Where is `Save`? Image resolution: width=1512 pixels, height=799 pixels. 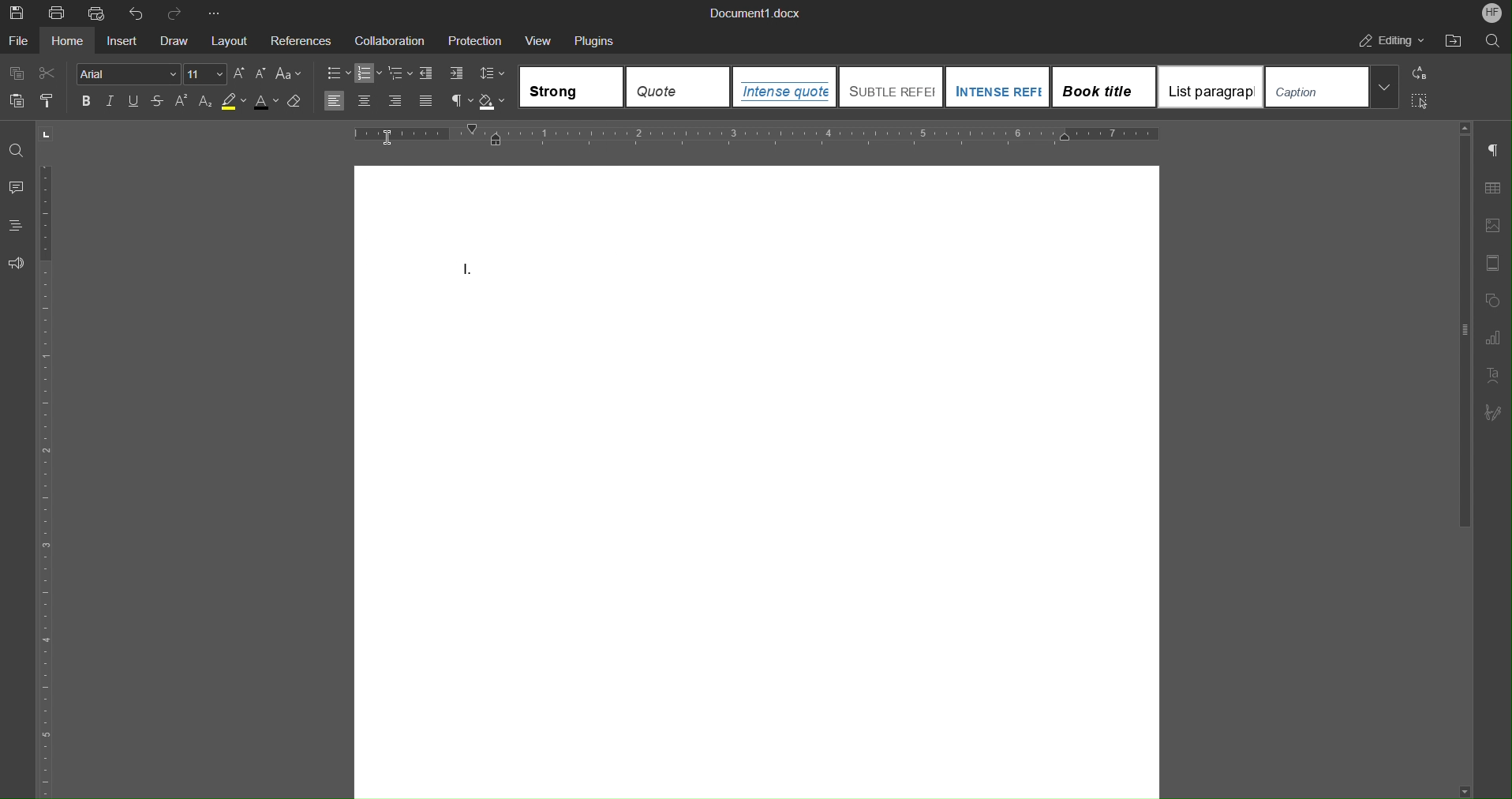 Save is located at coordinates (15, 13).